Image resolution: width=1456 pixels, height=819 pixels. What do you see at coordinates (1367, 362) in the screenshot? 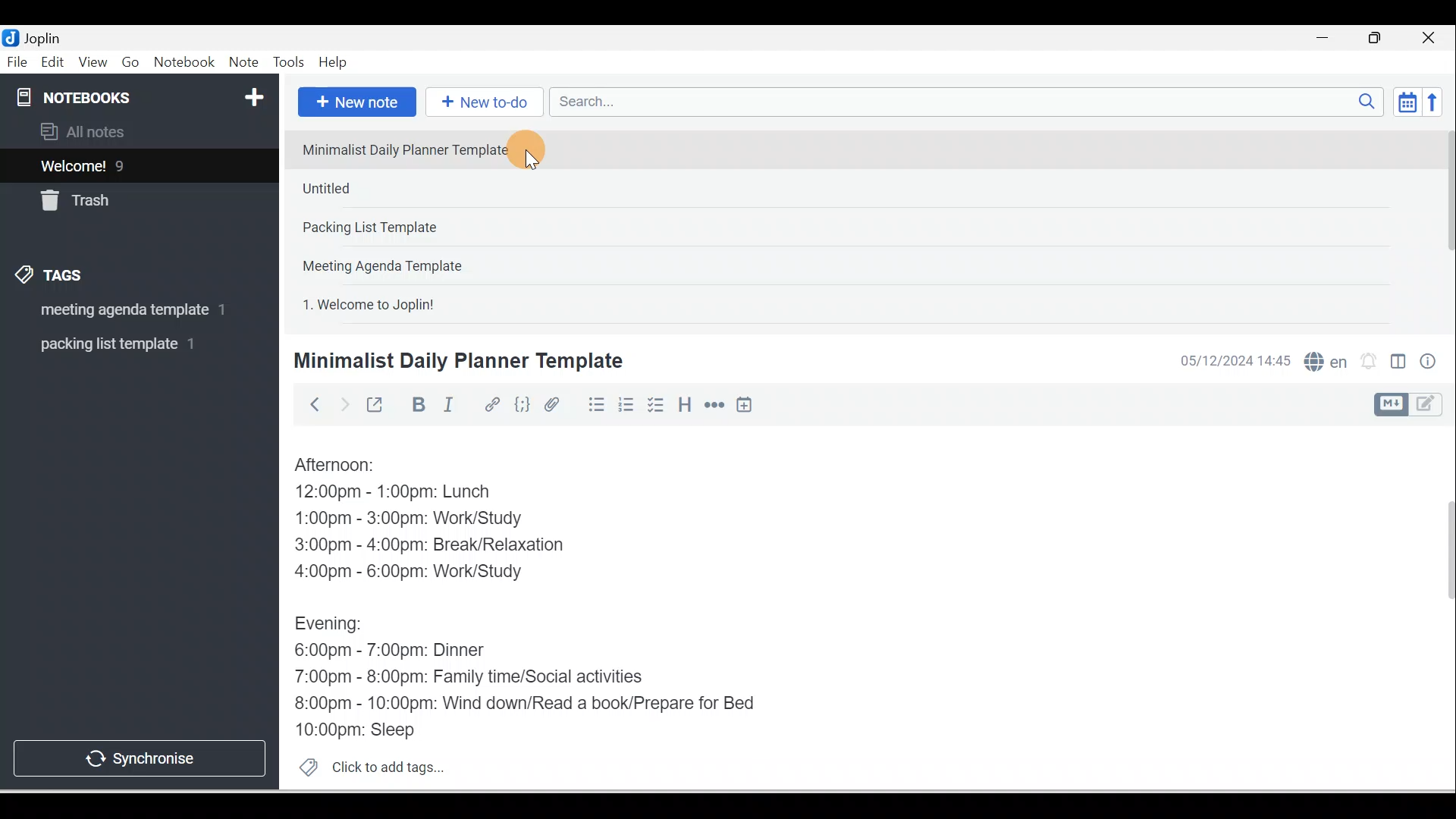
I see `Set alarm` at bounding box center [1367, 362].